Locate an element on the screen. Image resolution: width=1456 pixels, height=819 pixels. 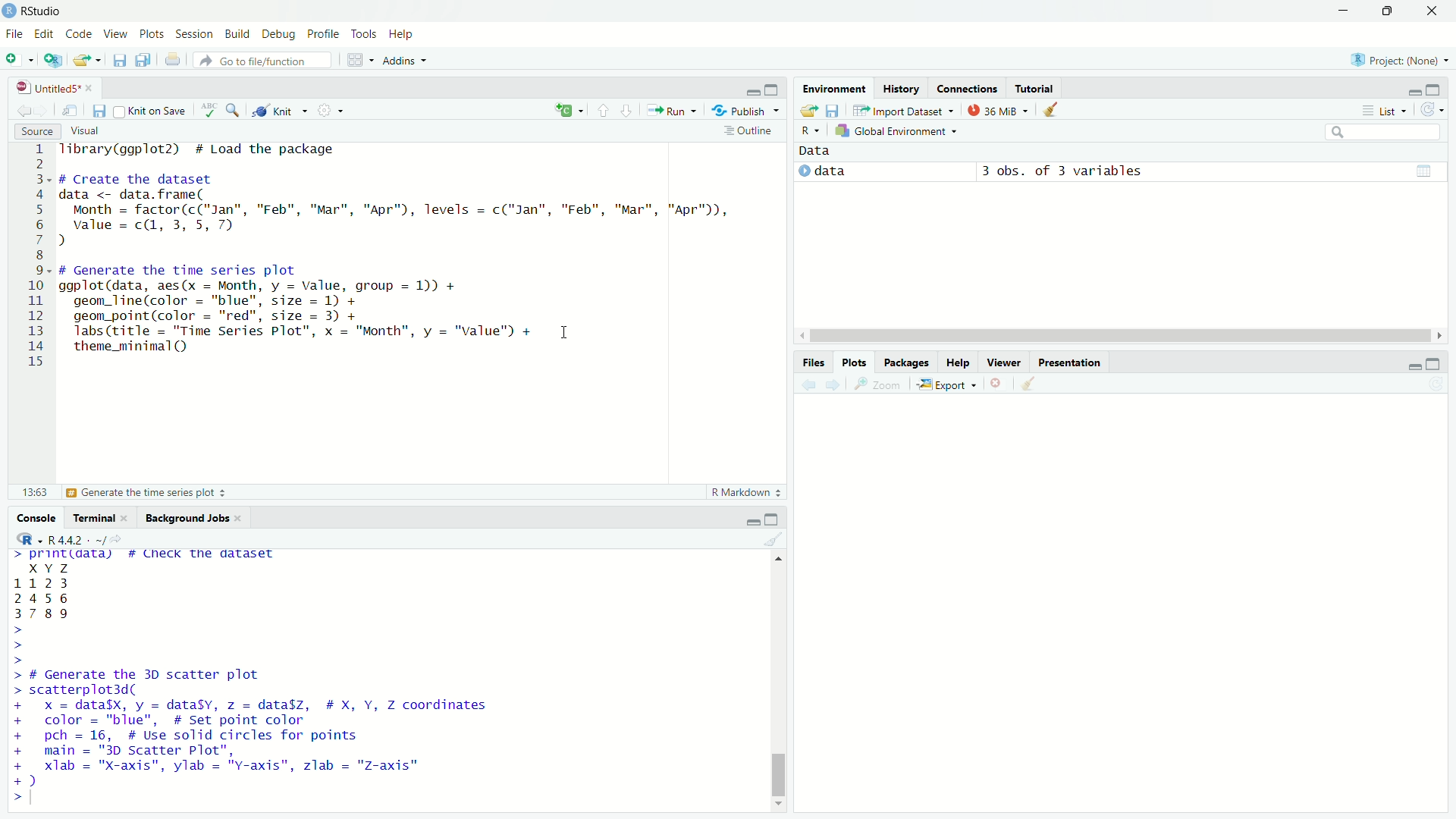
tutorial is located at coordinates (1036, 90).